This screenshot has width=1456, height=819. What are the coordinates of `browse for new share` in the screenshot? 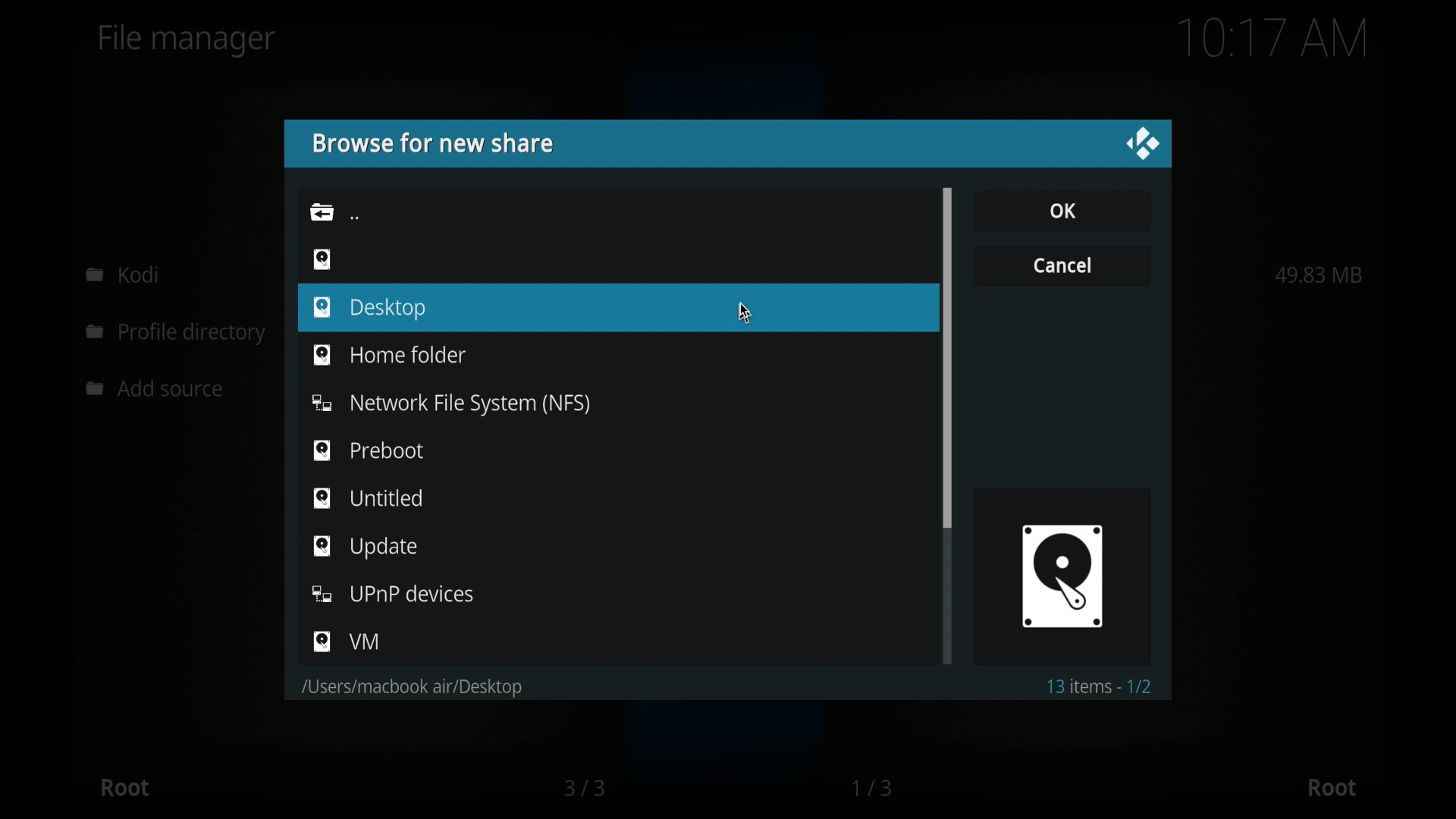 It's located at (431, 143).